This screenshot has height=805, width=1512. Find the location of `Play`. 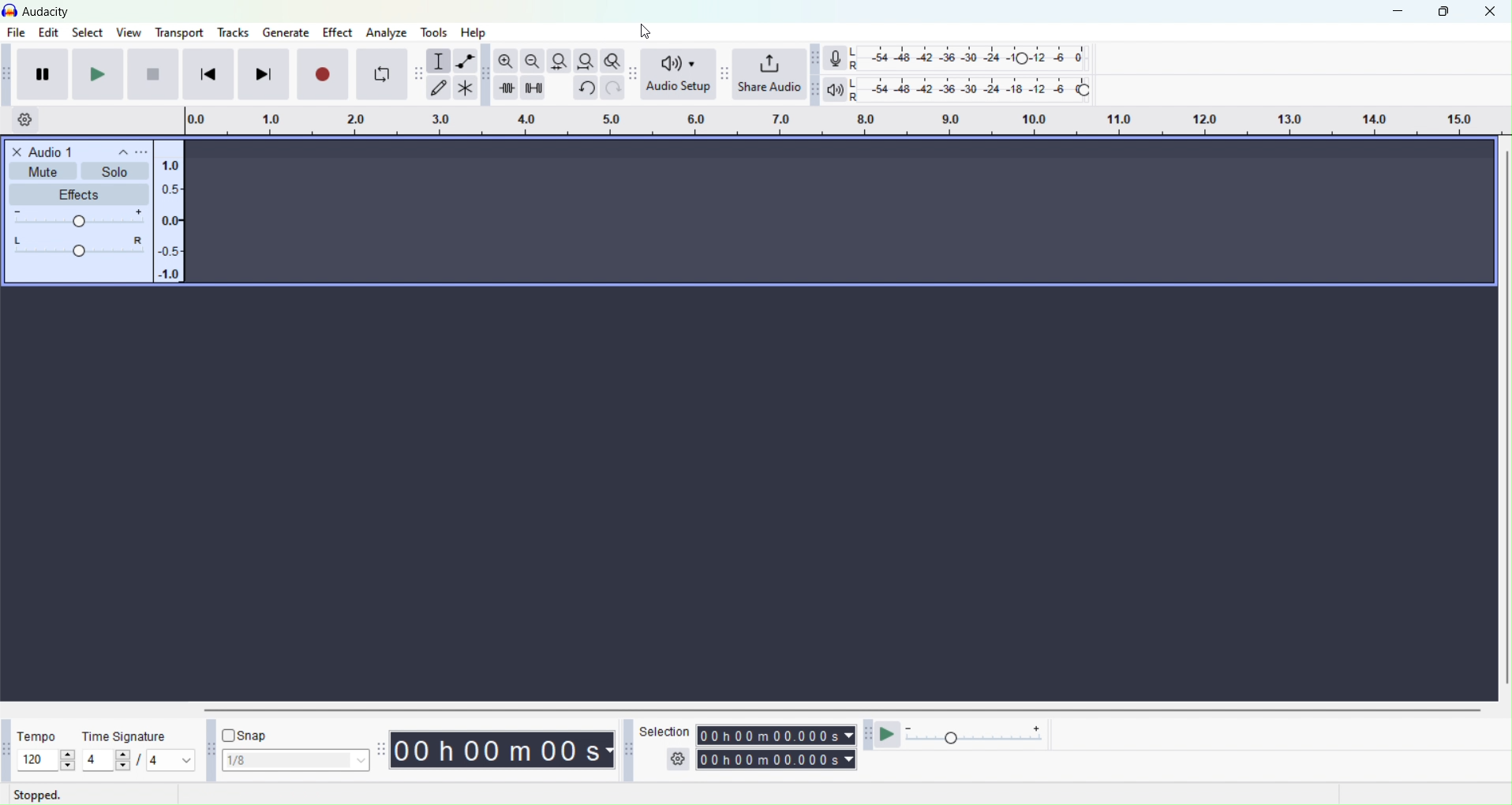

Play is located at coordinates (98, 73).